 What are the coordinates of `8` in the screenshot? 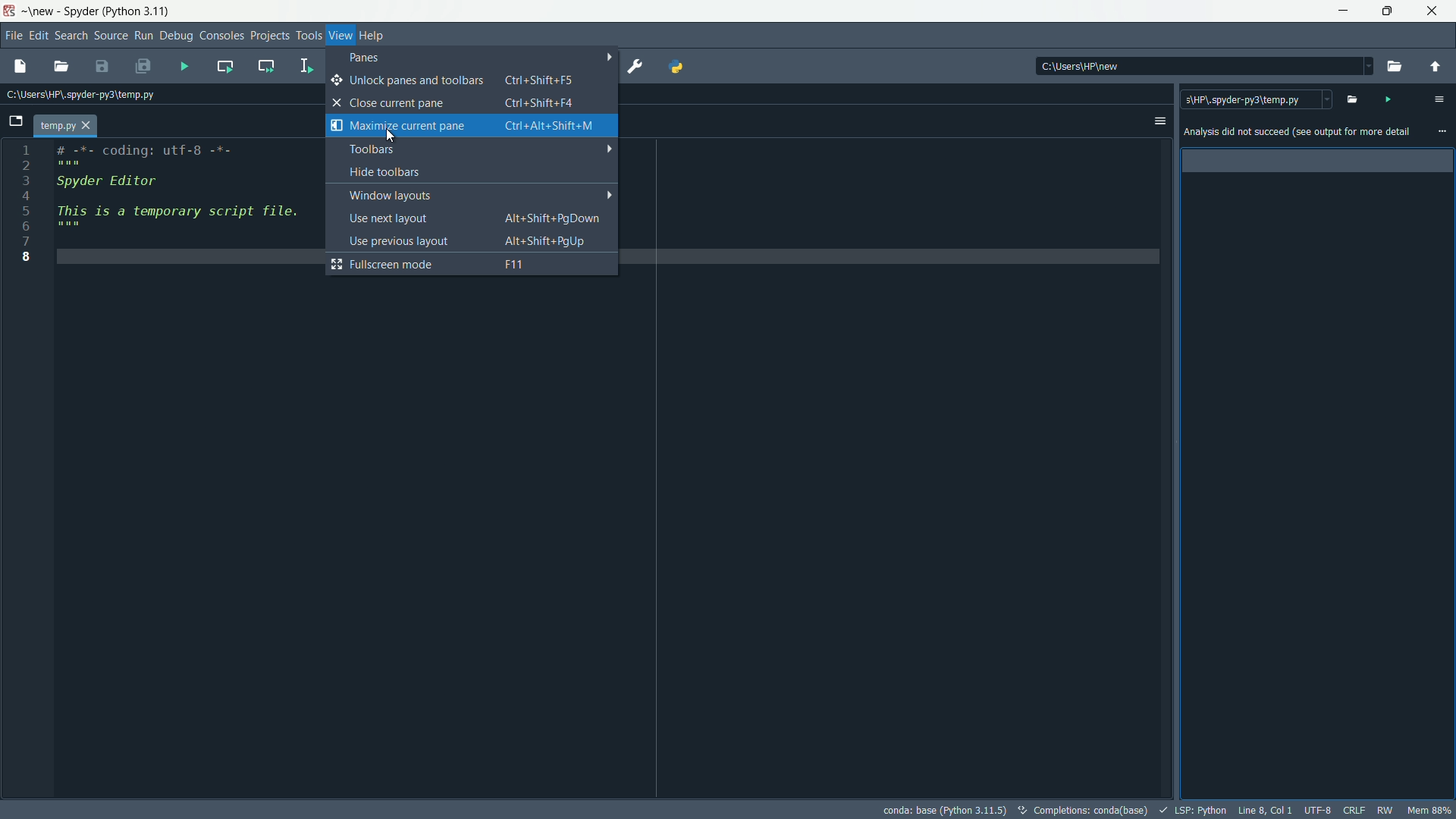 It's located at (28, 260).